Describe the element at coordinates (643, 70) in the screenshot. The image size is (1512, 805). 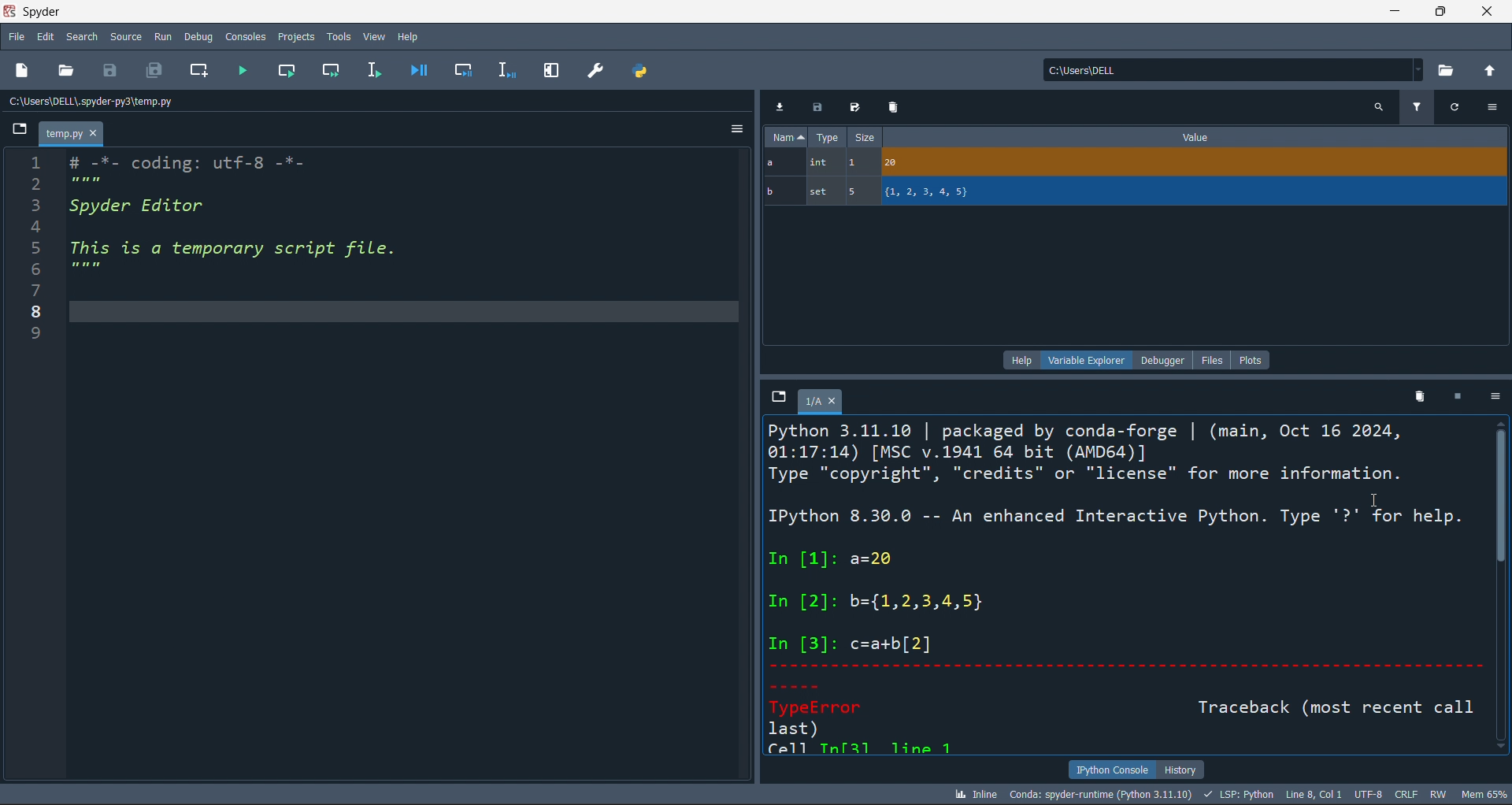
I see `python path manager` at that location.